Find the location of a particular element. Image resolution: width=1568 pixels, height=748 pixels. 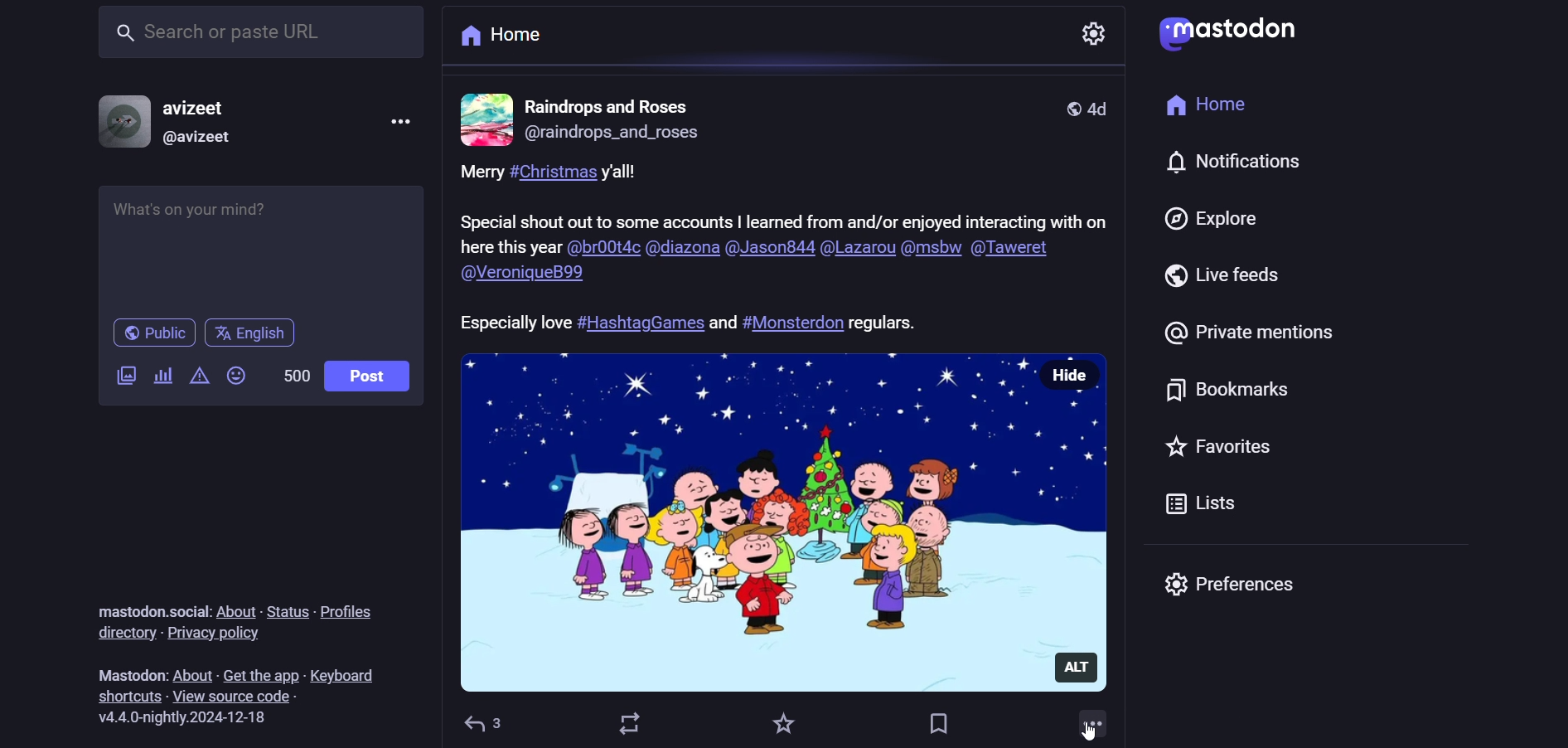

profiles is located at coordinates (361, 608).